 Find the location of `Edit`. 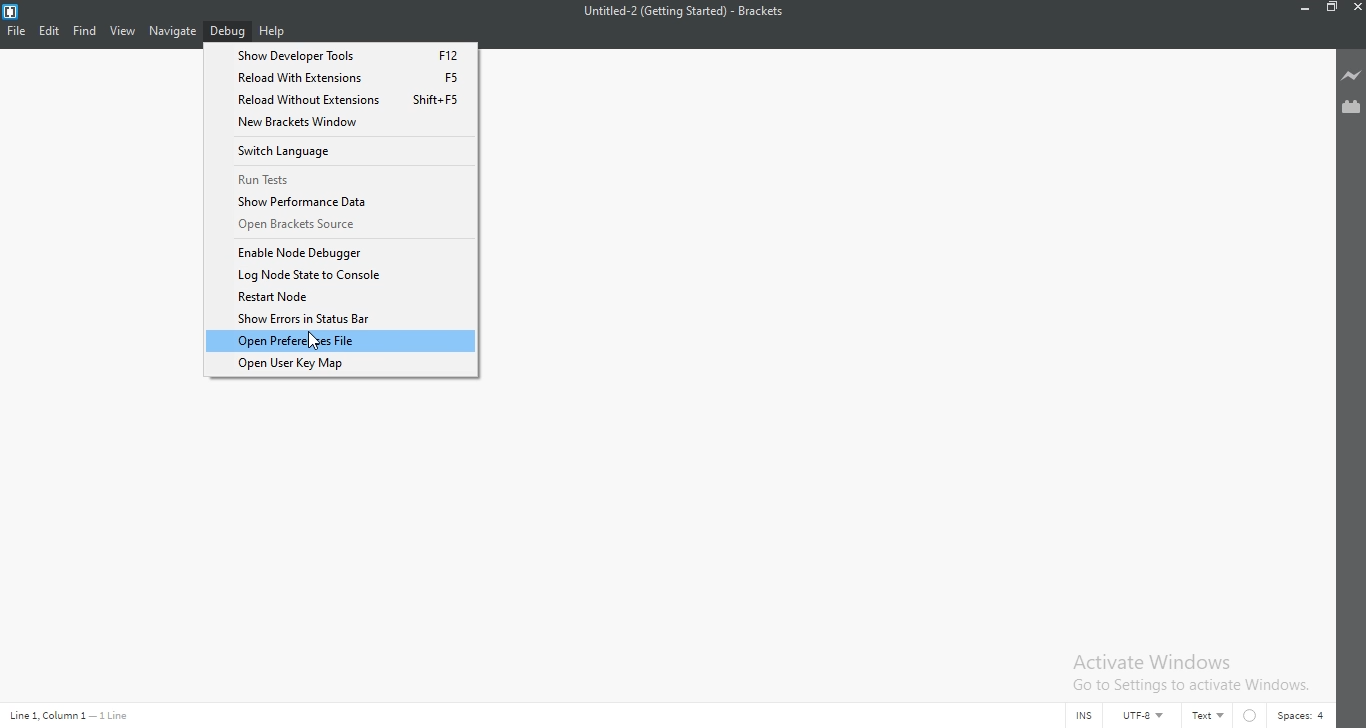

Edit is located at coordinates (49, 31).